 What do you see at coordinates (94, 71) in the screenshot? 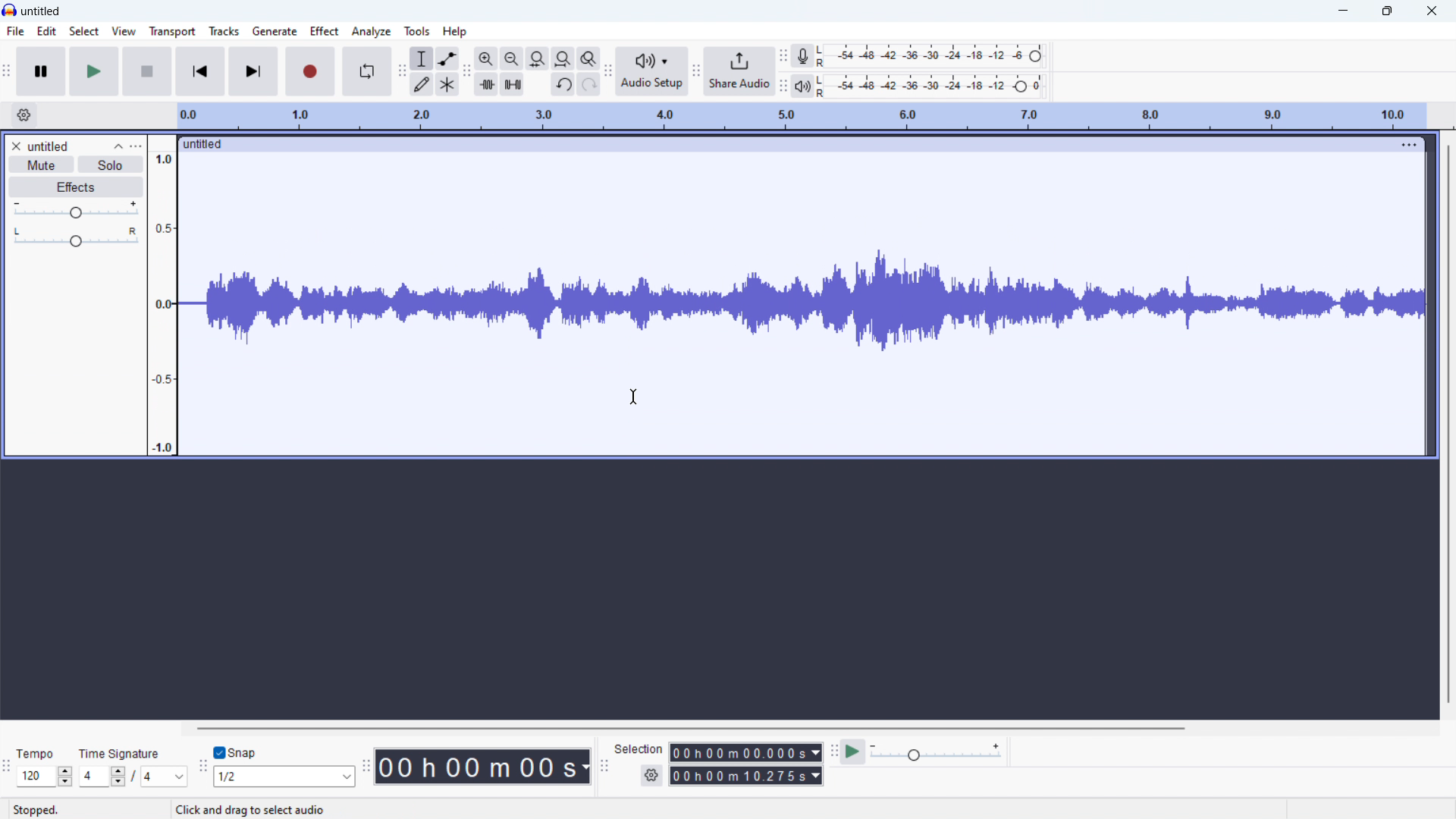
I see `play` at bounding box center [94, 71].